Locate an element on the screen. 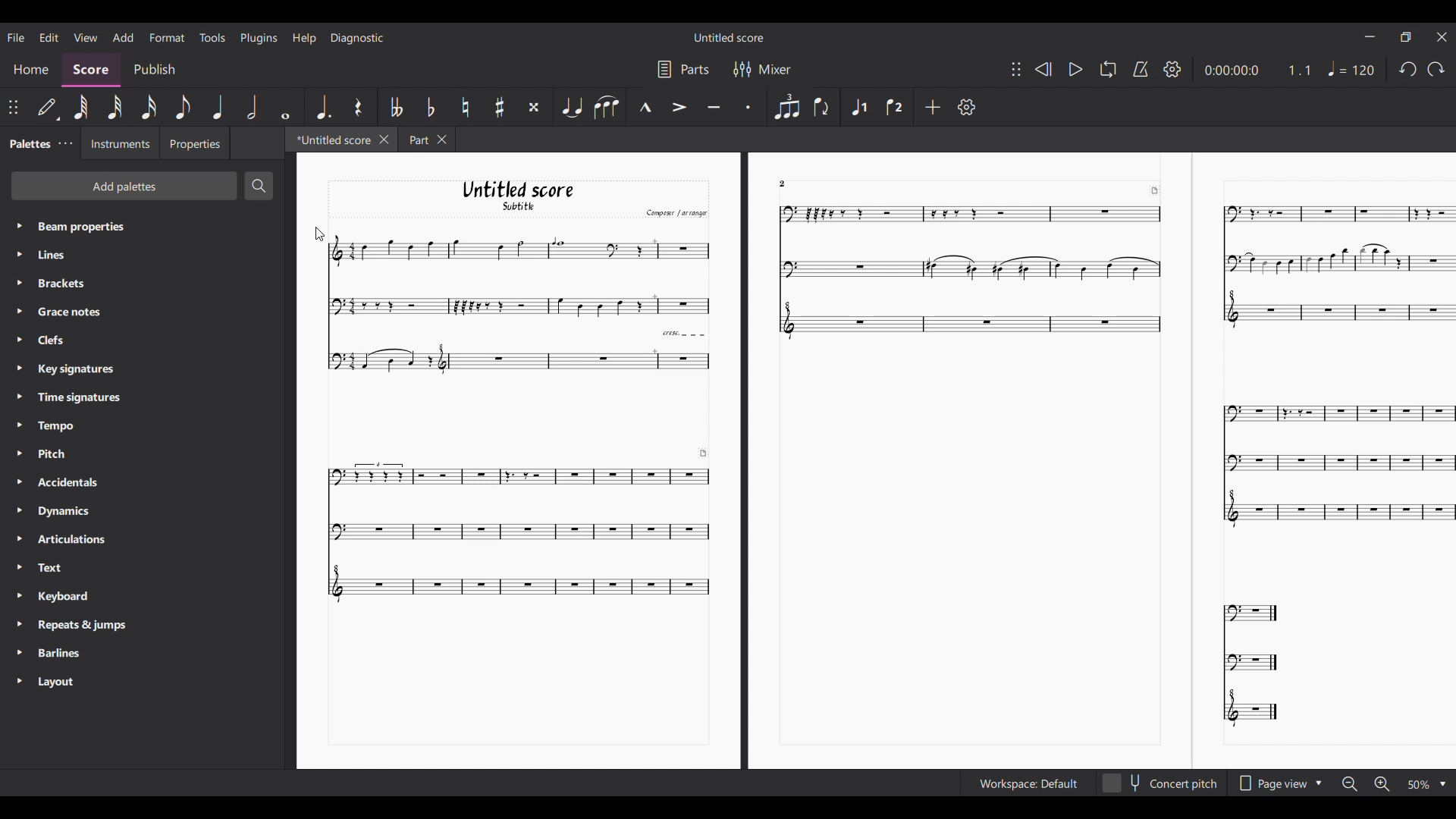 The width and height of the screenshot is (1456, 819).  is located at coordinates (16, 340).